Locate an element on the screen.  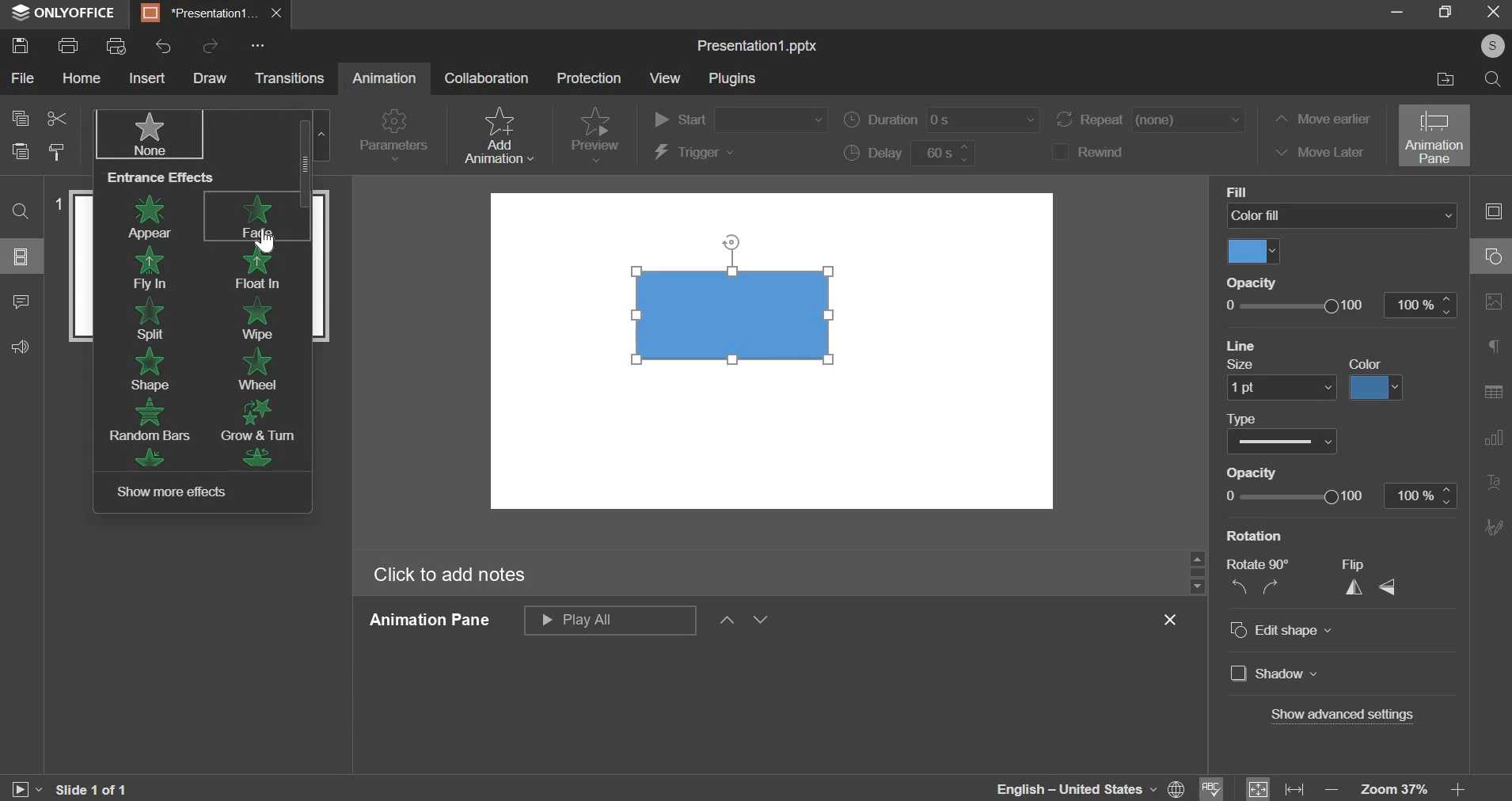
random bars is located at coordinates (153, 421).